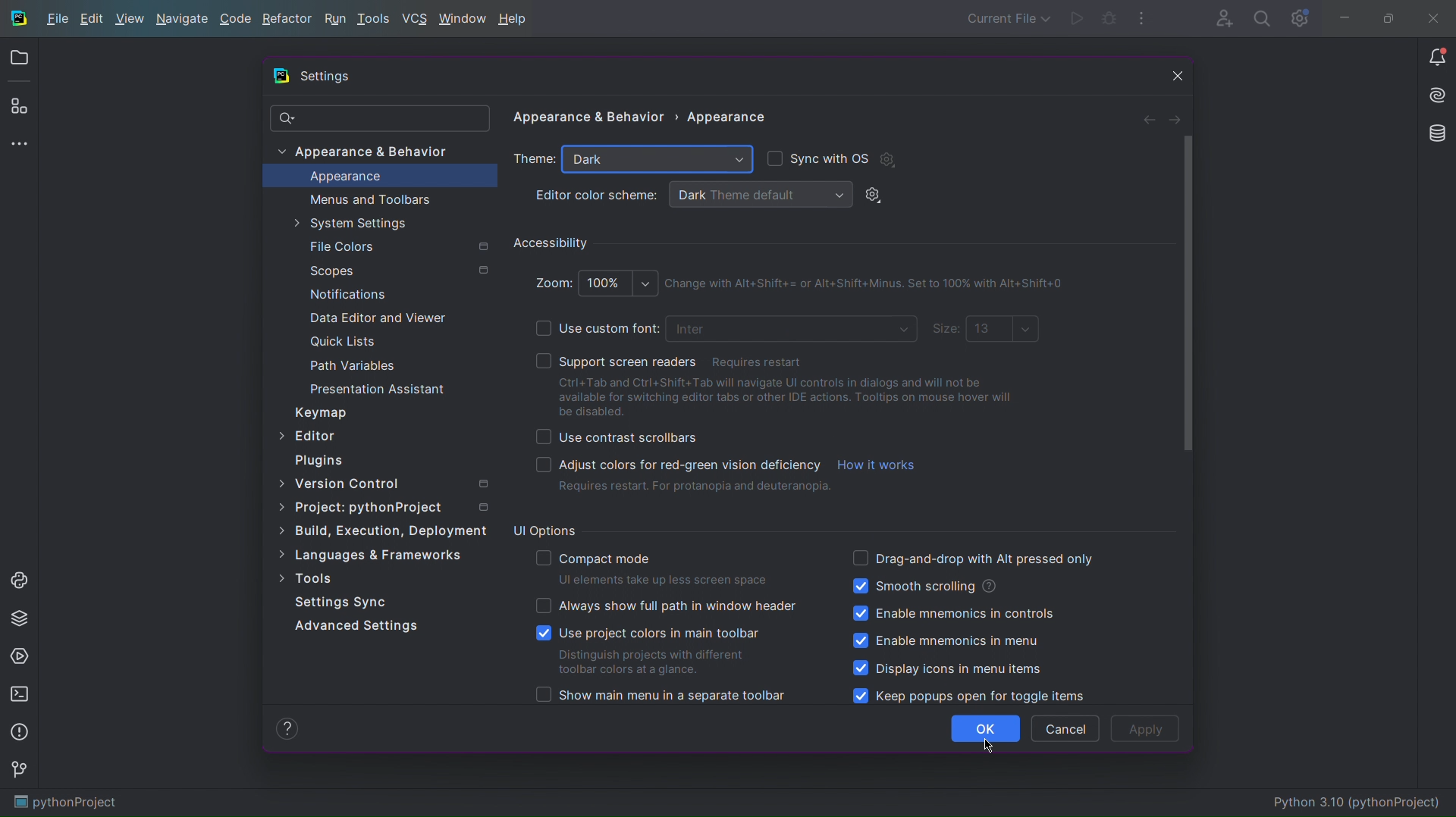 The width and height of the screenshot is (1456, 817). Describe the element at coordinates (370, 556) in the screenshot. I see `Language & Frameworks` at that location.